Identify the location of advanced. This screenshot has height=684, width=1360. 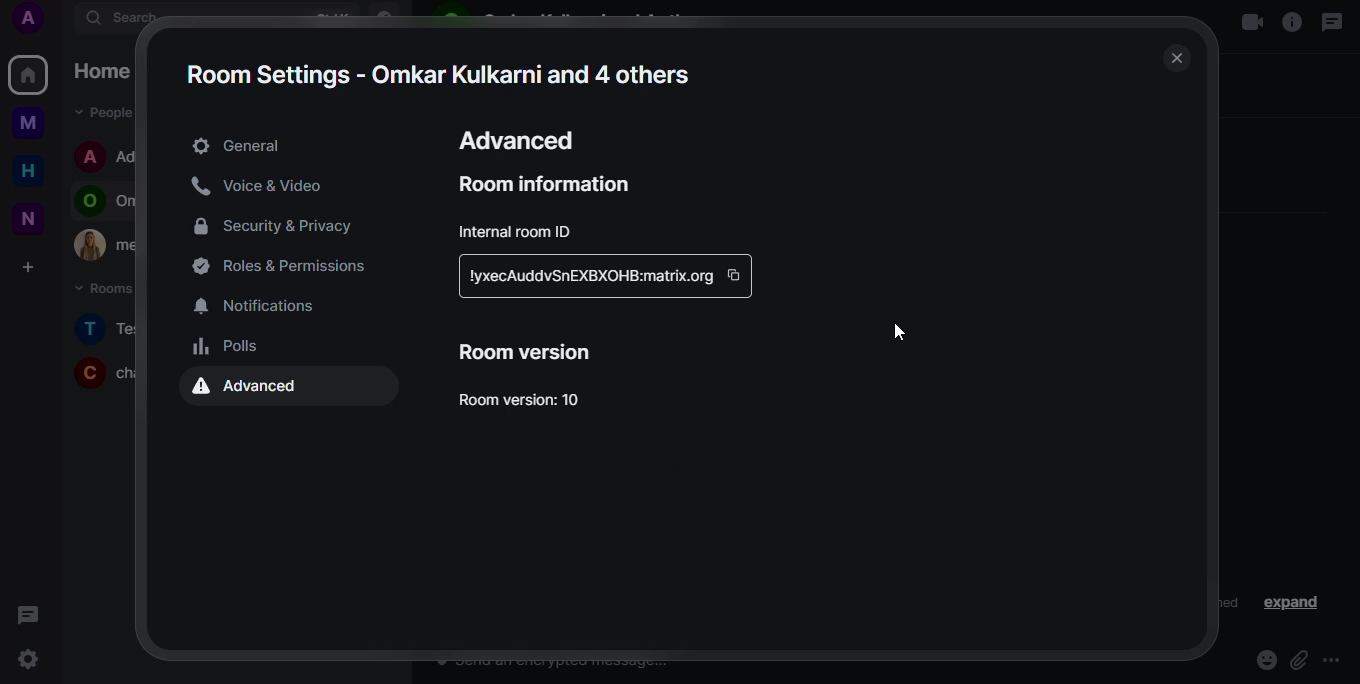
(254, 388).